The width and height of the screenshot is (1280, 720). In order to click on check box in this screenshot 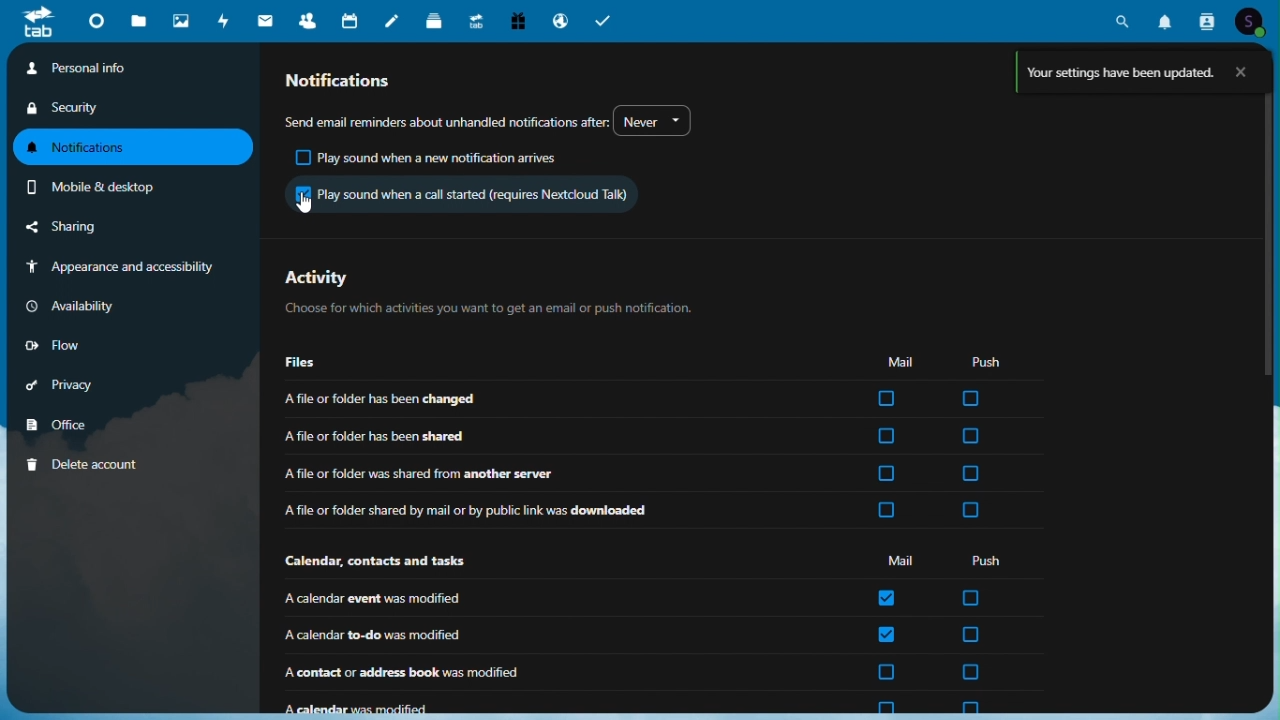, I will do `click(972, 598)`.